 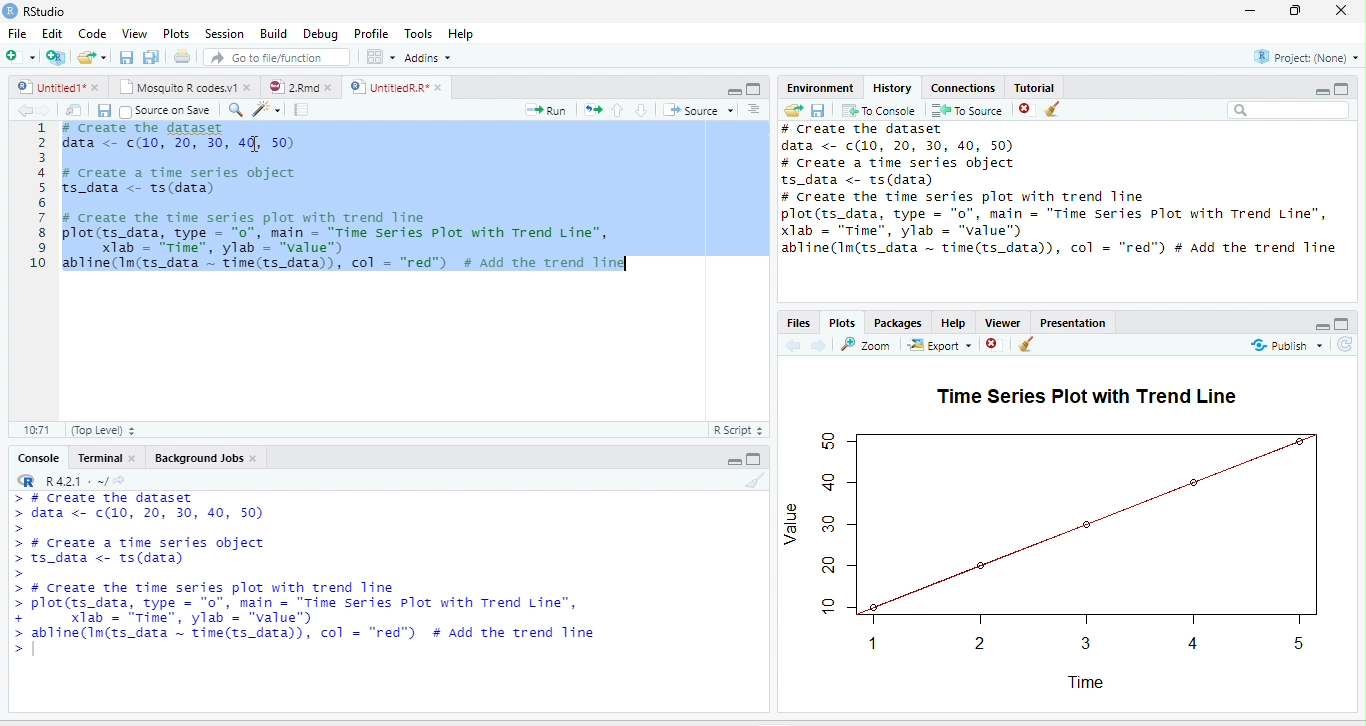 I want to click on File, so click(x=18, y=33).